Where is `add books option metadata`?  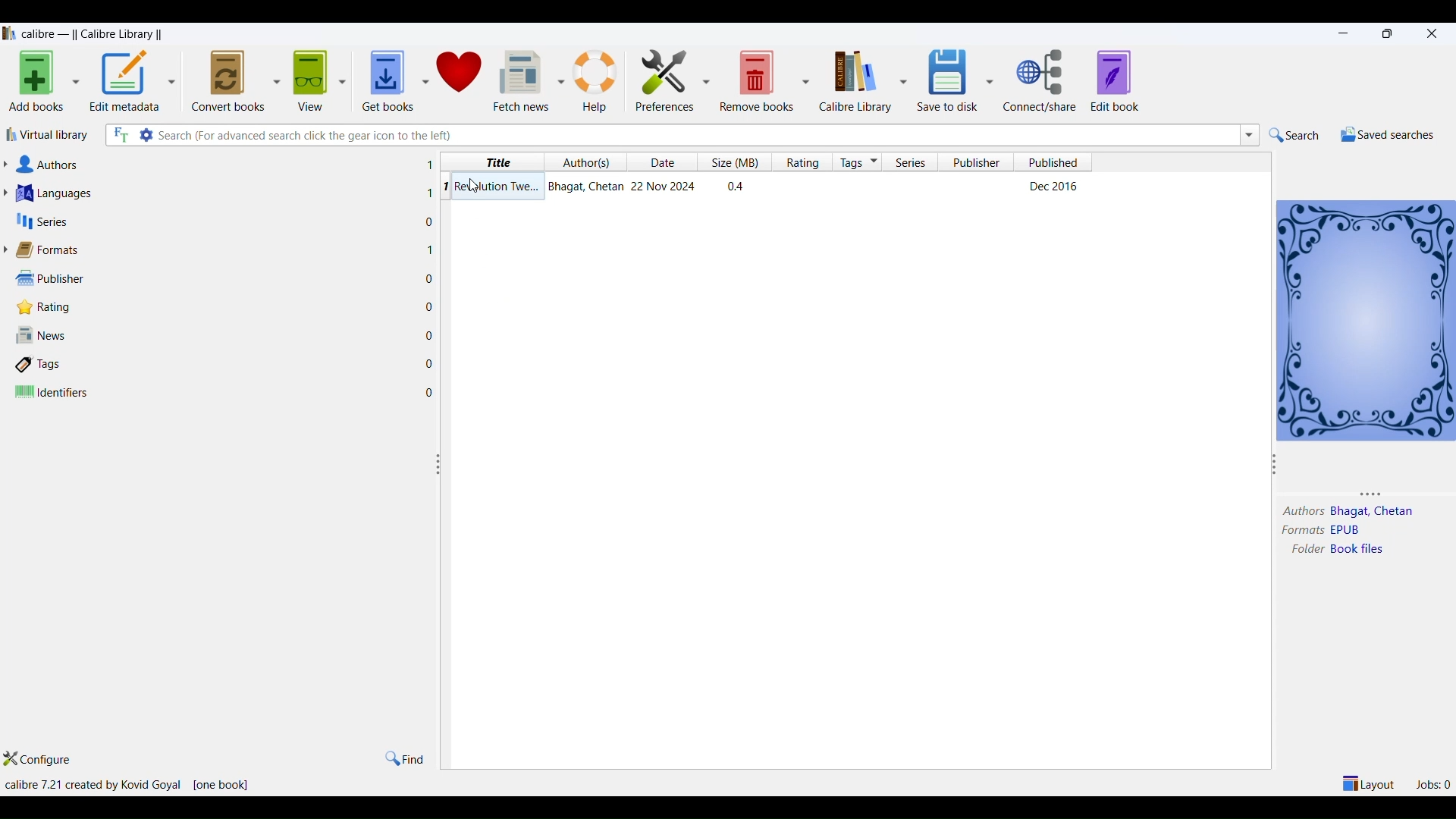
add books option metadata is located at coordinates (78, 81).